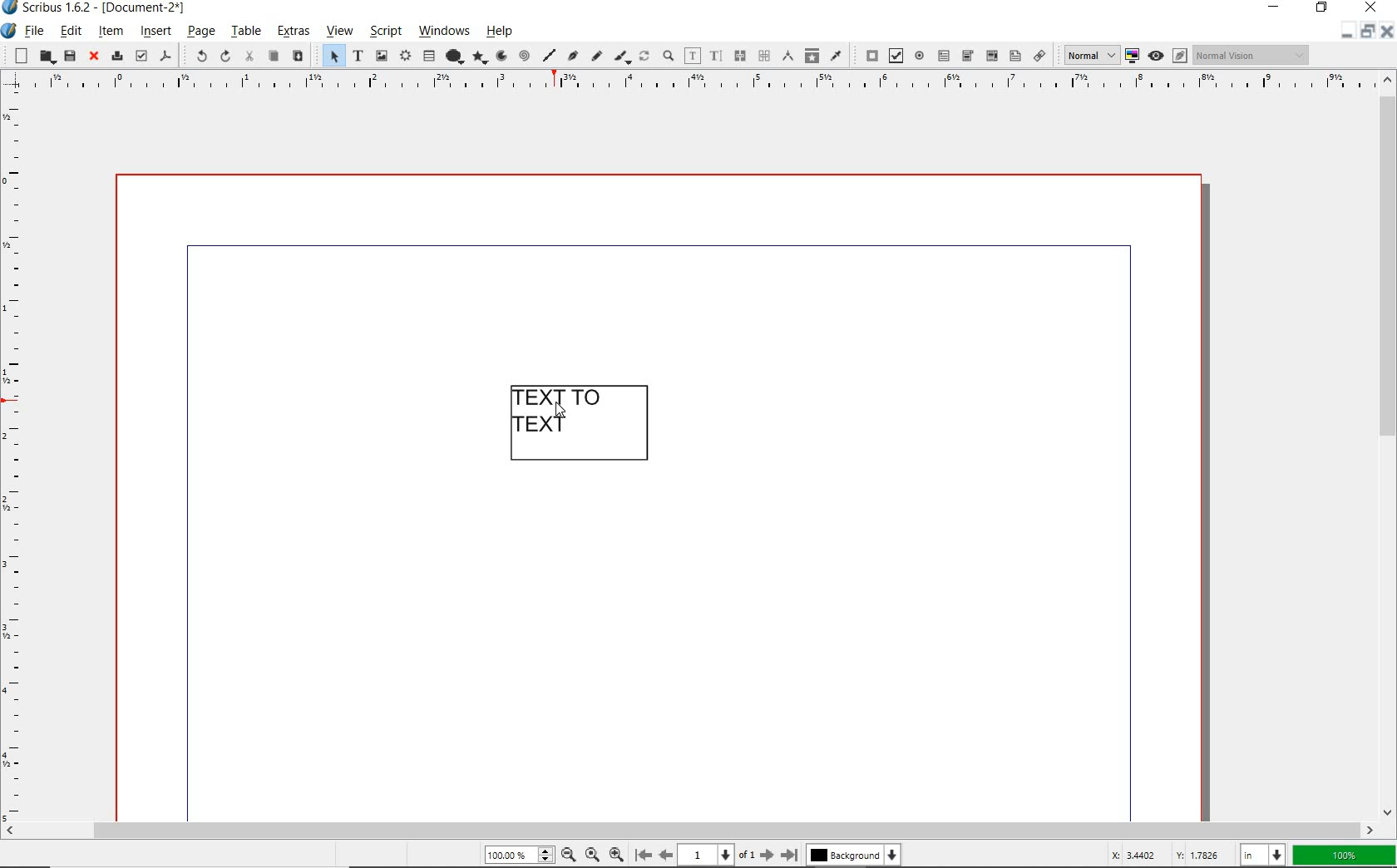  Describe the element at coordinates (1260, 856) in the screenshot. I see `select unit` at that location.